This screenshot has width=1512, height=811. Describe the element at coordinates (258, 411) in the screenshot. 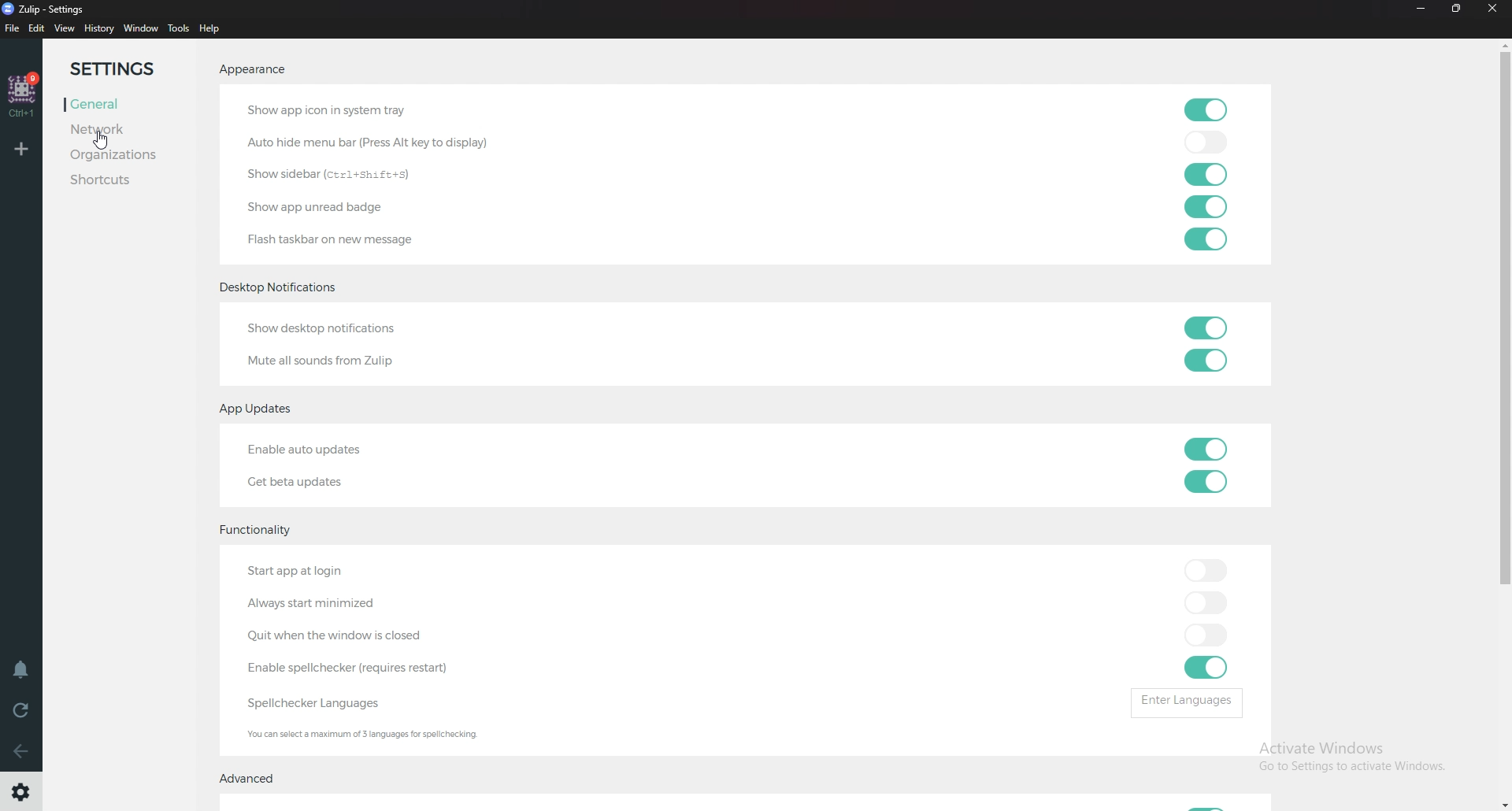

I see `App updates` at that location.